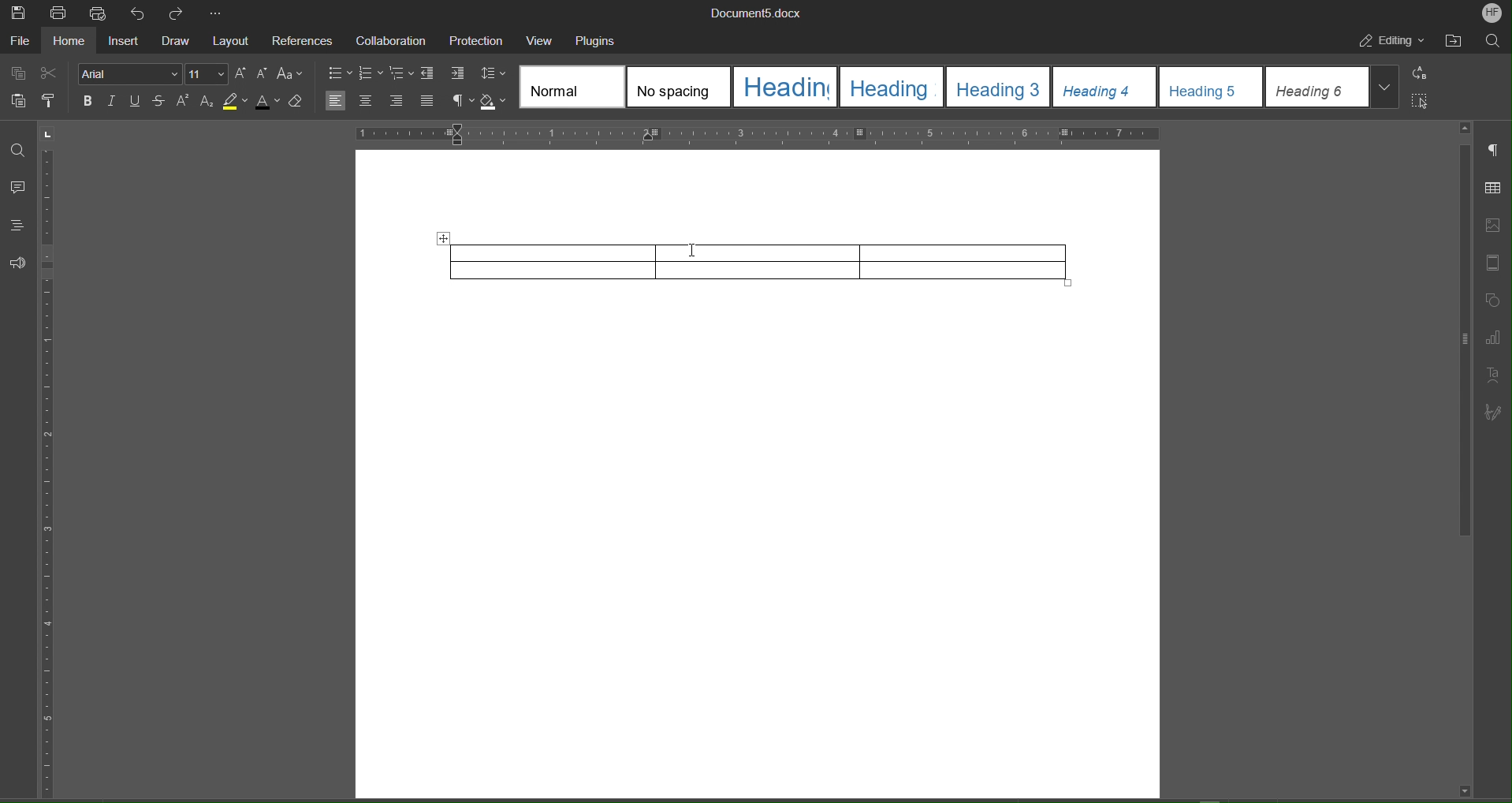 The height and width of the screenshot is (803, 1512). I want to click on heading 3, so click(999, 87).